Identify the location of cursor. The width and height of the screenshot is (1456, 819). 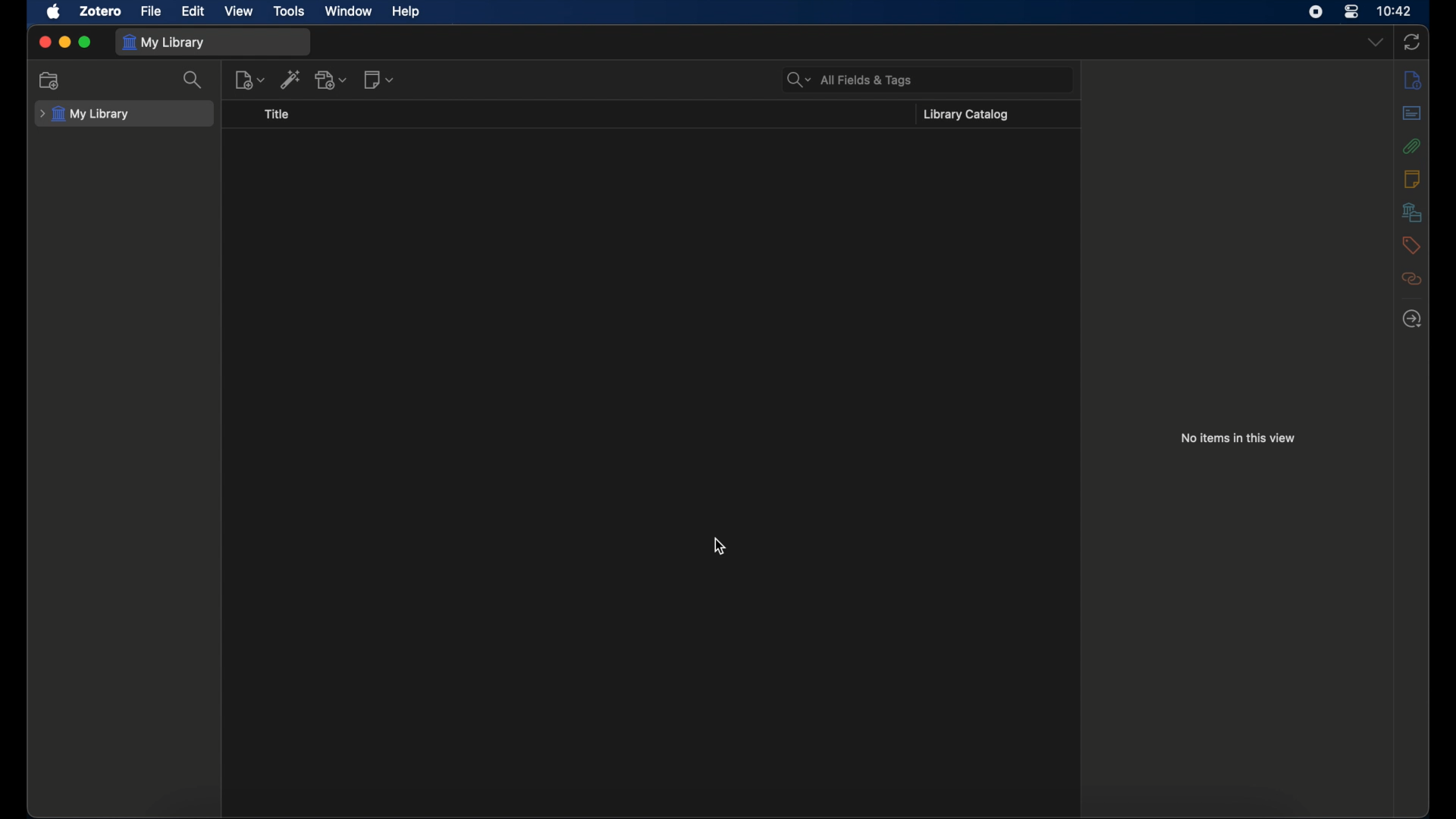
(718, 547).